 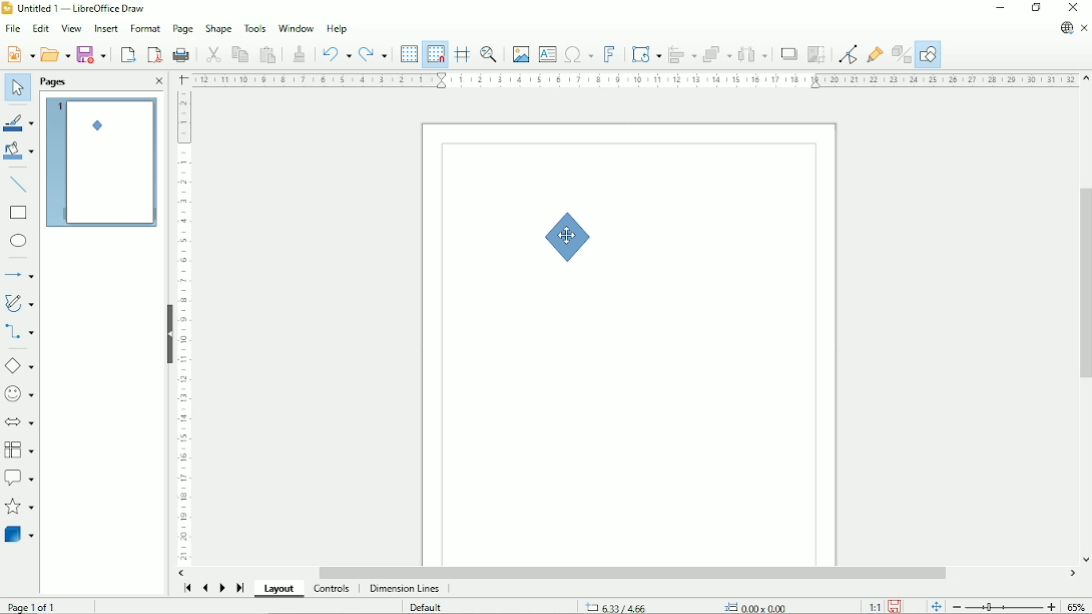 What do you see at coordinates (21, 185) in the screenshot?
I see `Insert line` at bounding box center [21, 185].